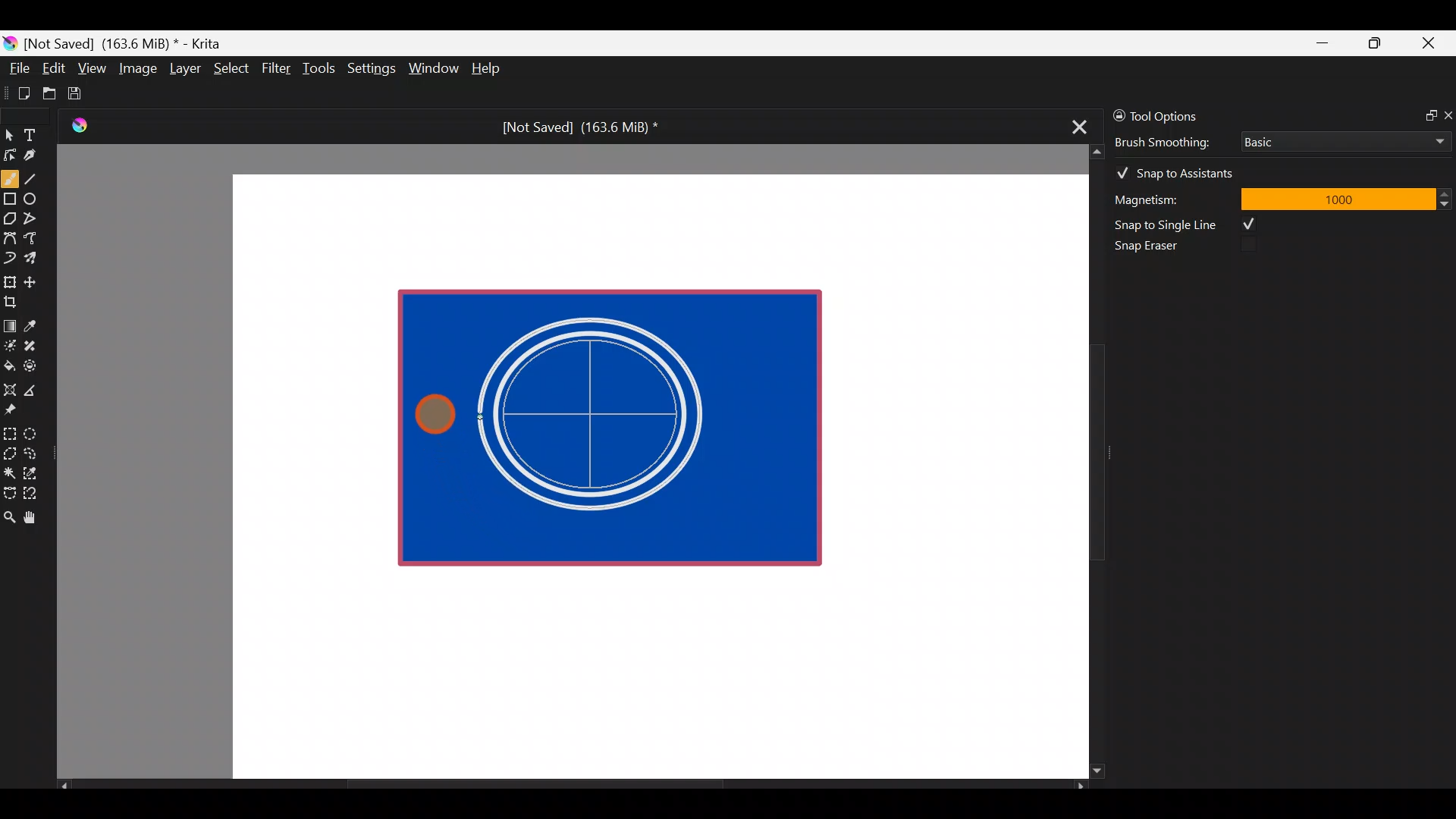  Describe the element at coordinates (37, 197) in the screenshot. I see `Ellipse tool` at that location.